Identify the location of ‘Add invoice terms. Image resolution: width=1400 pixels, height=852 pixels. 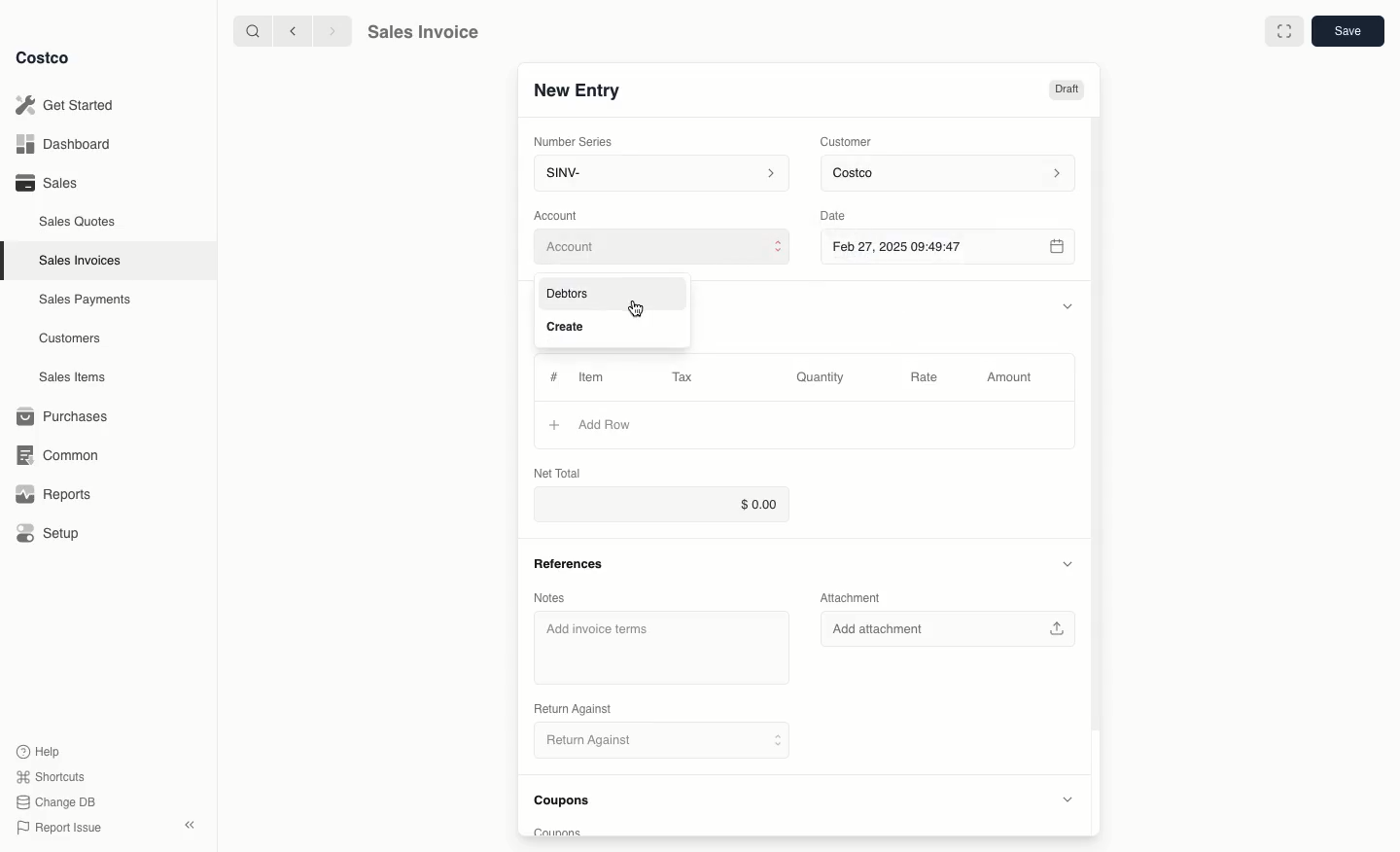
(601, 630).